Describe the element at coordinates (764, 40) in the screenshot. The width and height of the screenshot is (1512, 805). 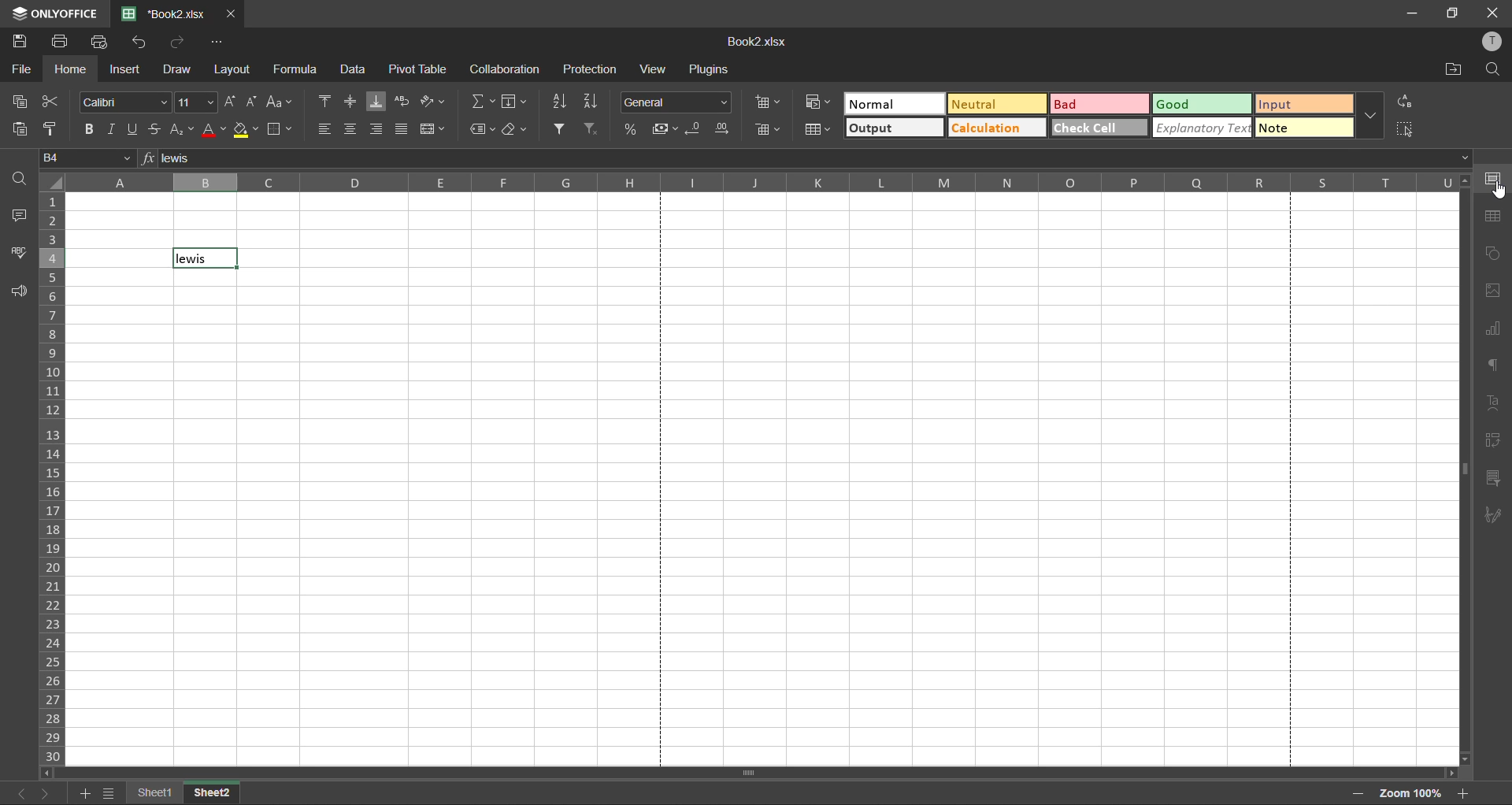
I see `filename: Book2: xlsx` at that location.